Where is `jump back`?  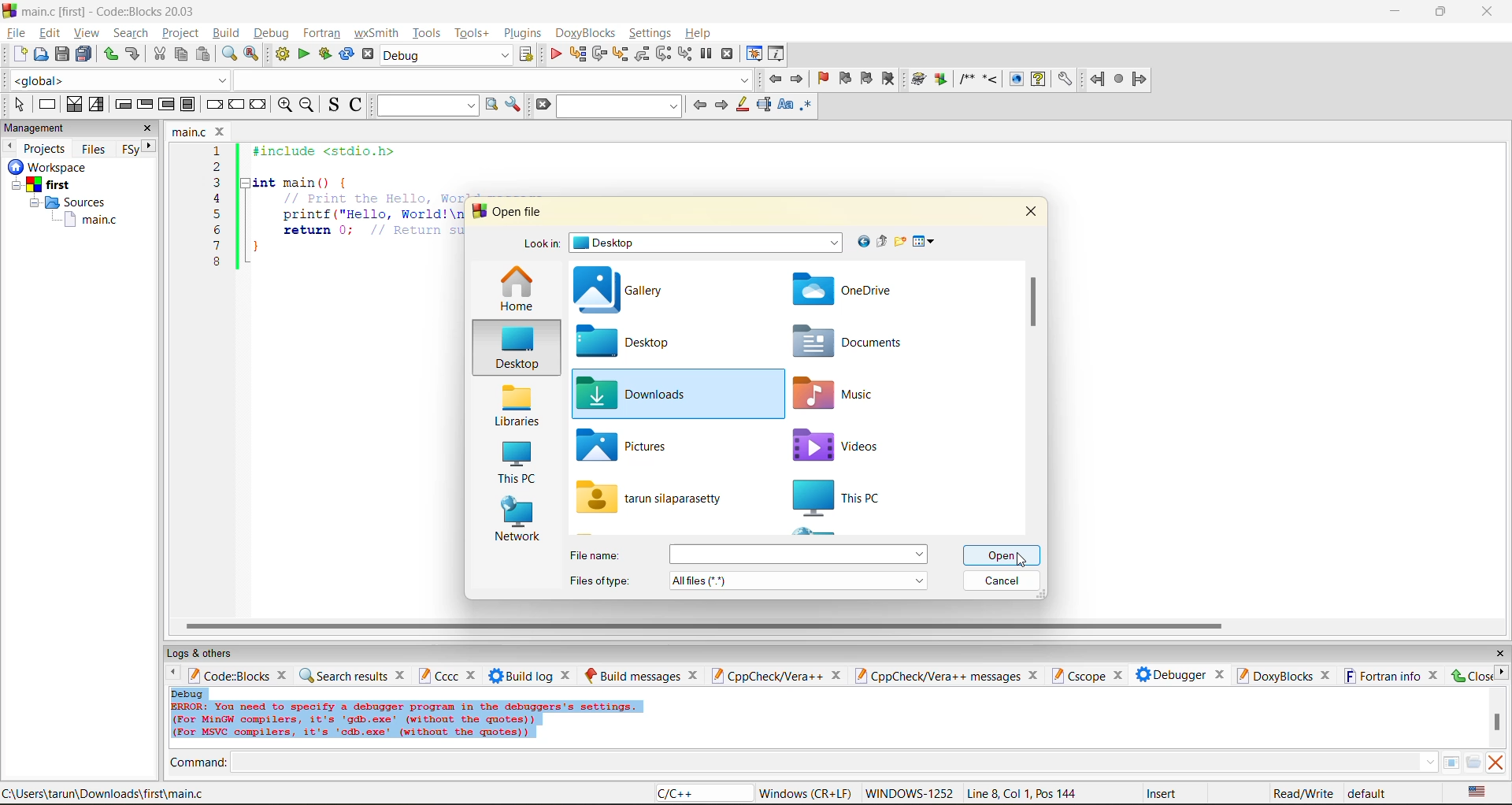 jump back is located at coordinates (773, 79).